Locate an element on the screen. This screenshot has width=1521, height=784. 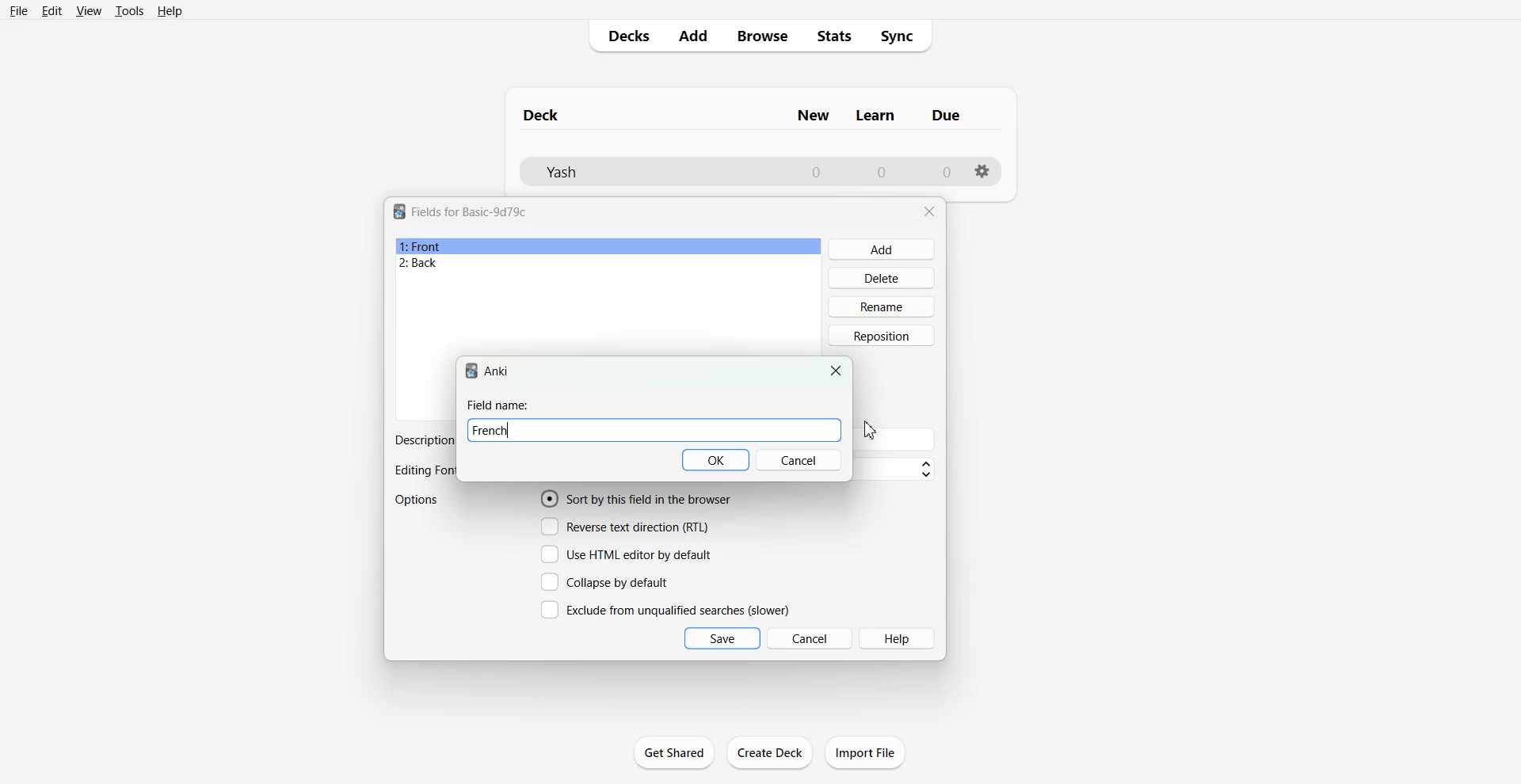
Close is located at coordinates (929, 211).